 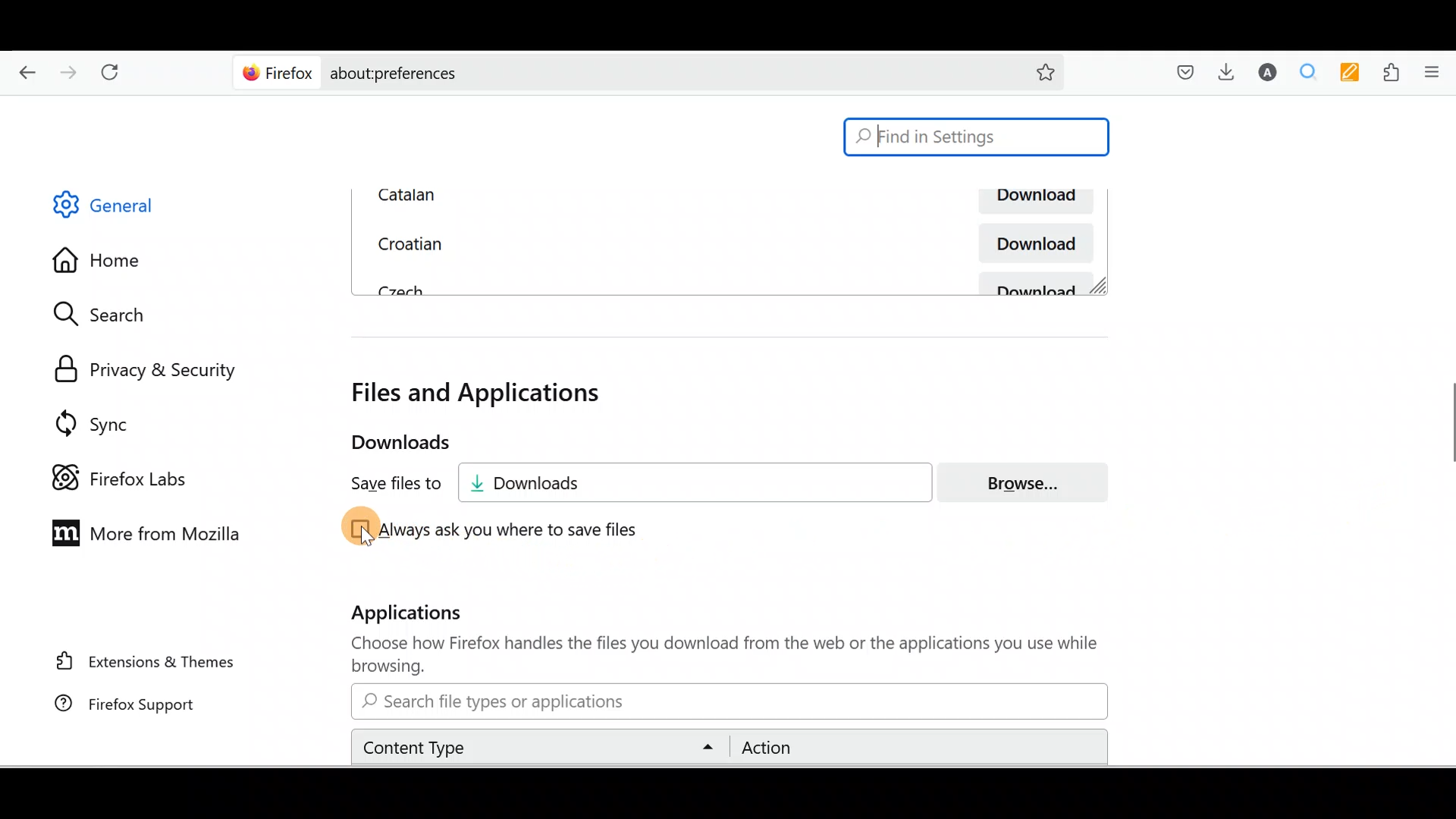 What do you see at coordinates (115, 470) in the screenshot?
I see `Firefox labs` at bounding box center [115, 470].